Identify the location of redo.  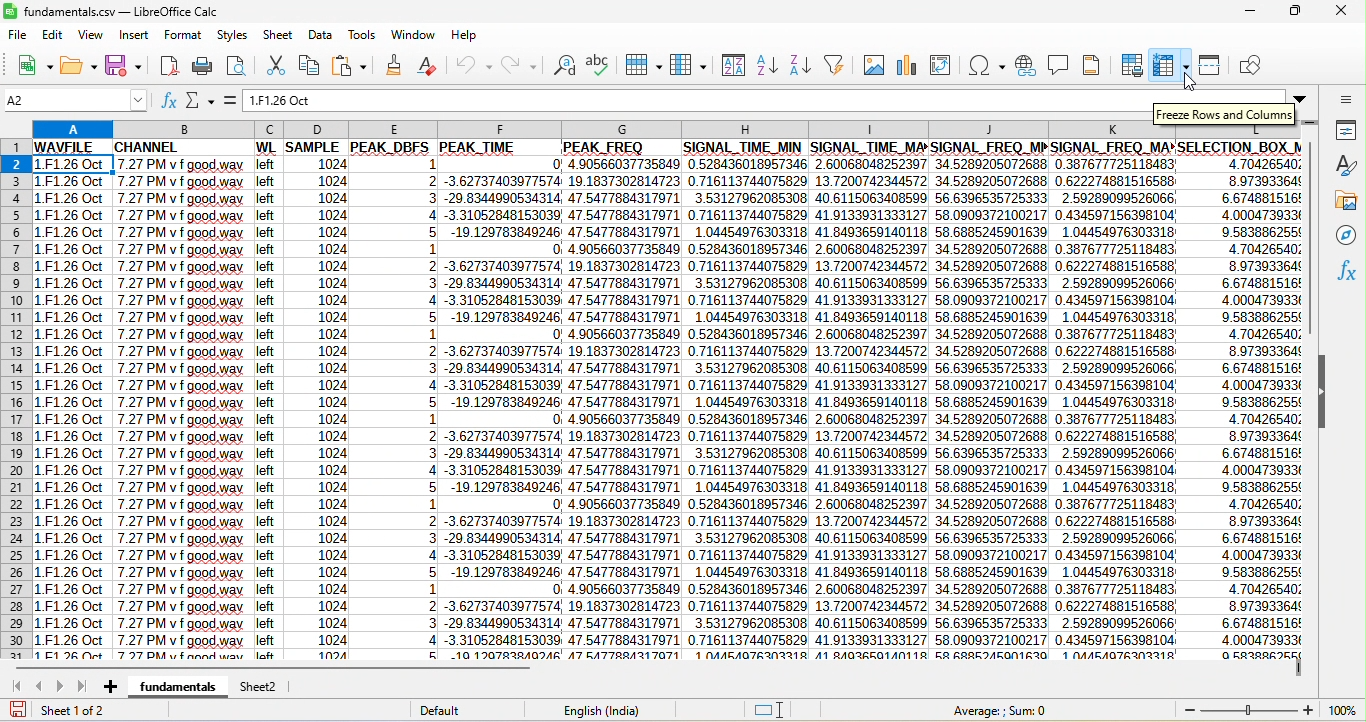
(525, 64).